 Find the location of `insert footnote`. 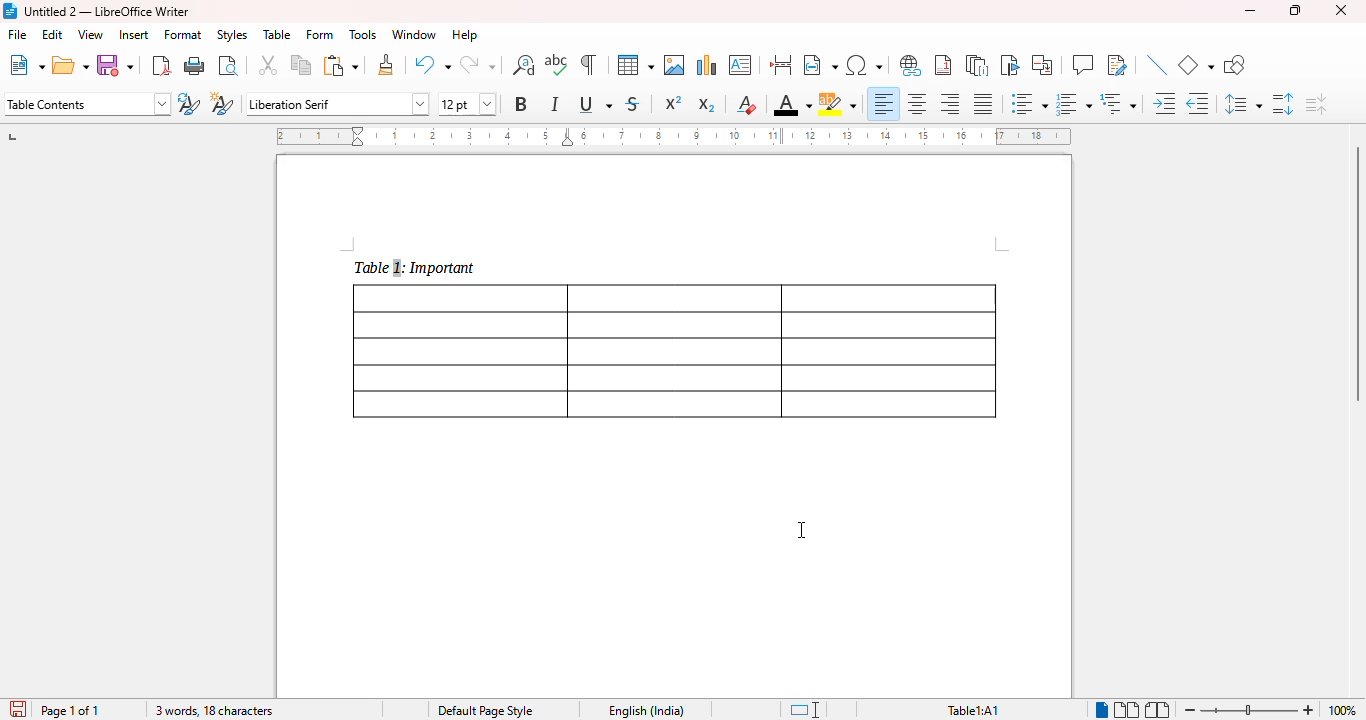

insert footnote is located at coordinates (943, 65).